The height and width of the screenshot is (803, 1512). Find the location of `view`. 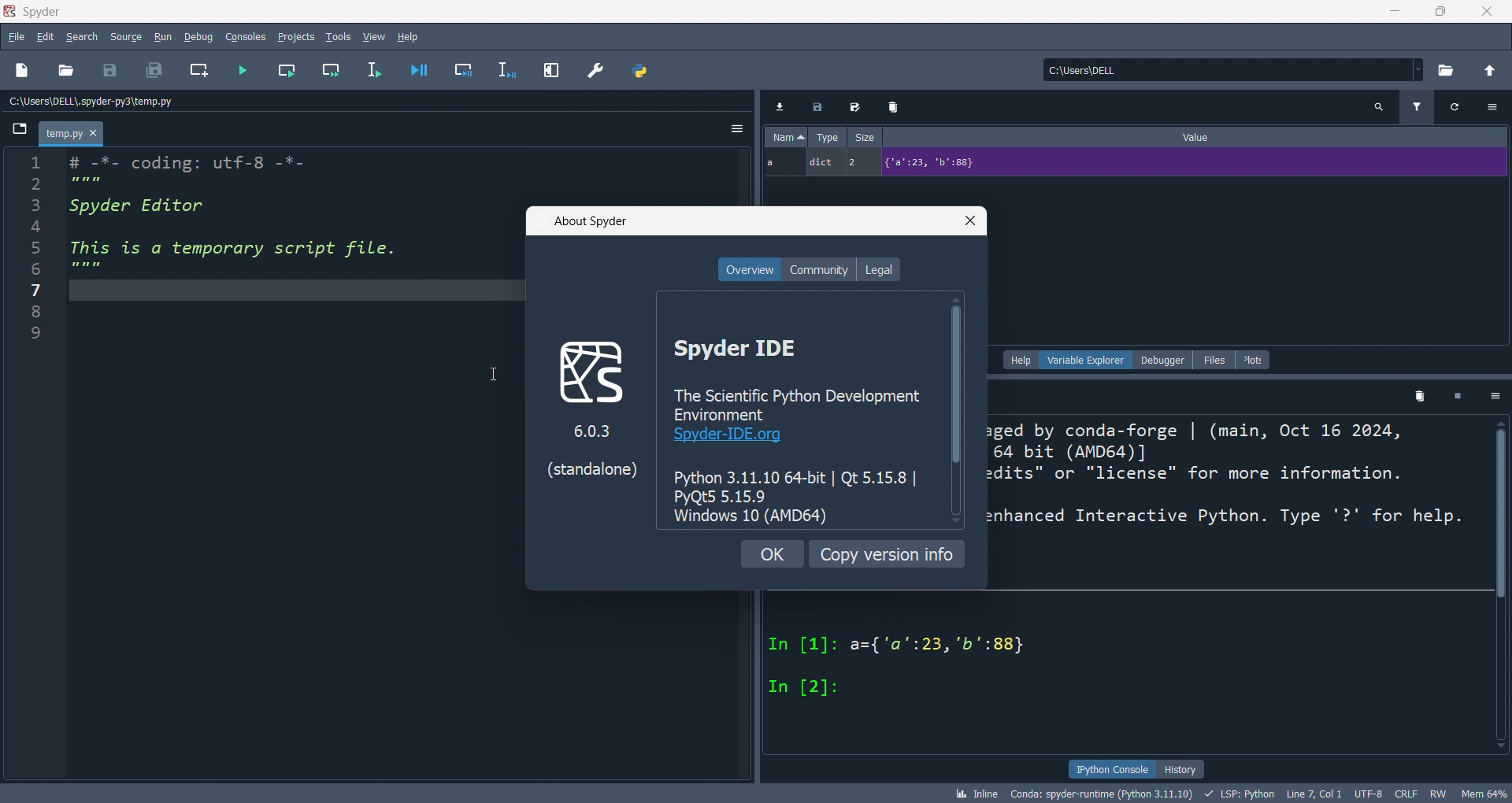

view is located at coordinates (375, 38).